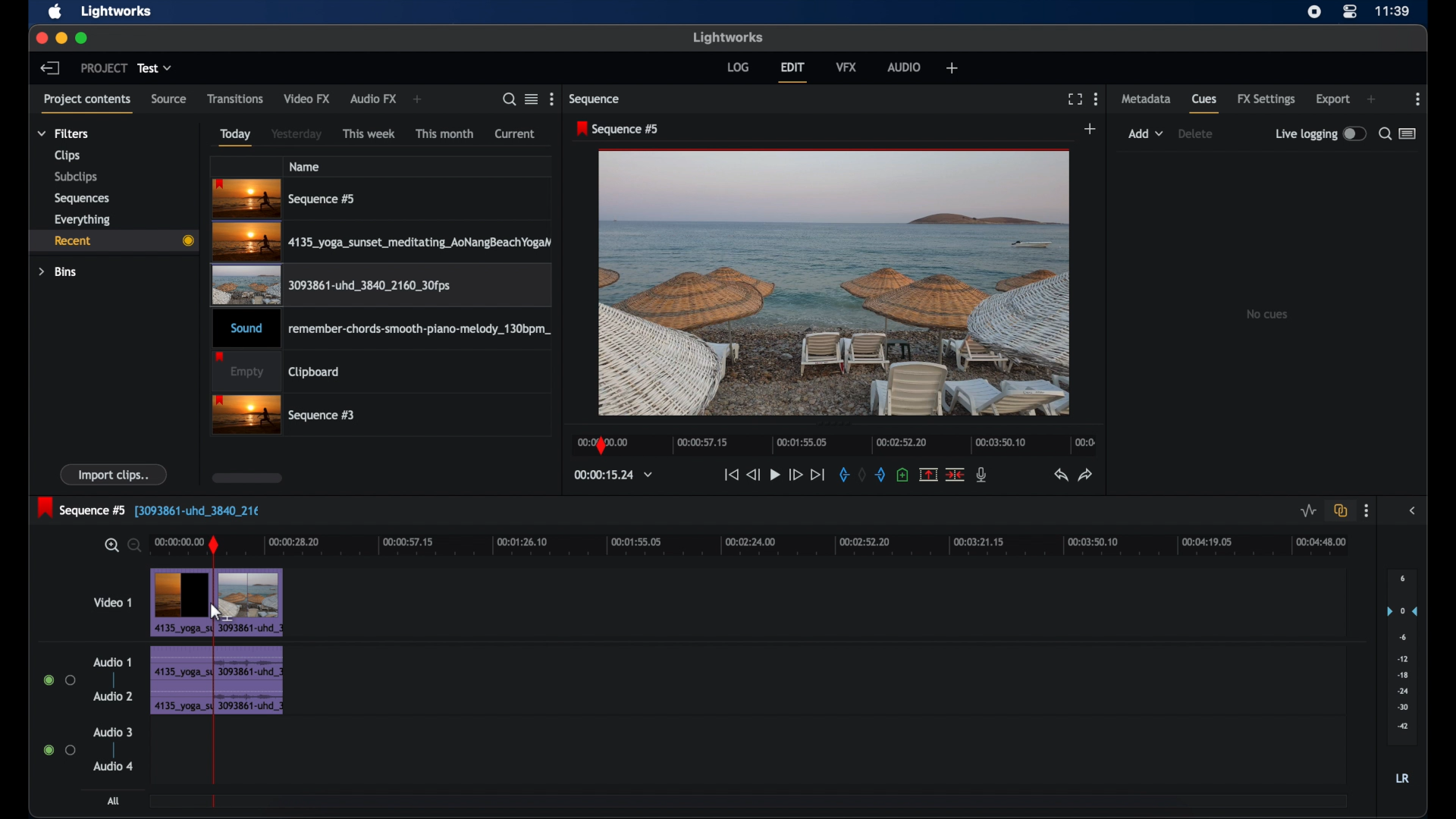 The height and width of the screenshot is (819, 1456). I want to click on rewind, so click(754, 474).